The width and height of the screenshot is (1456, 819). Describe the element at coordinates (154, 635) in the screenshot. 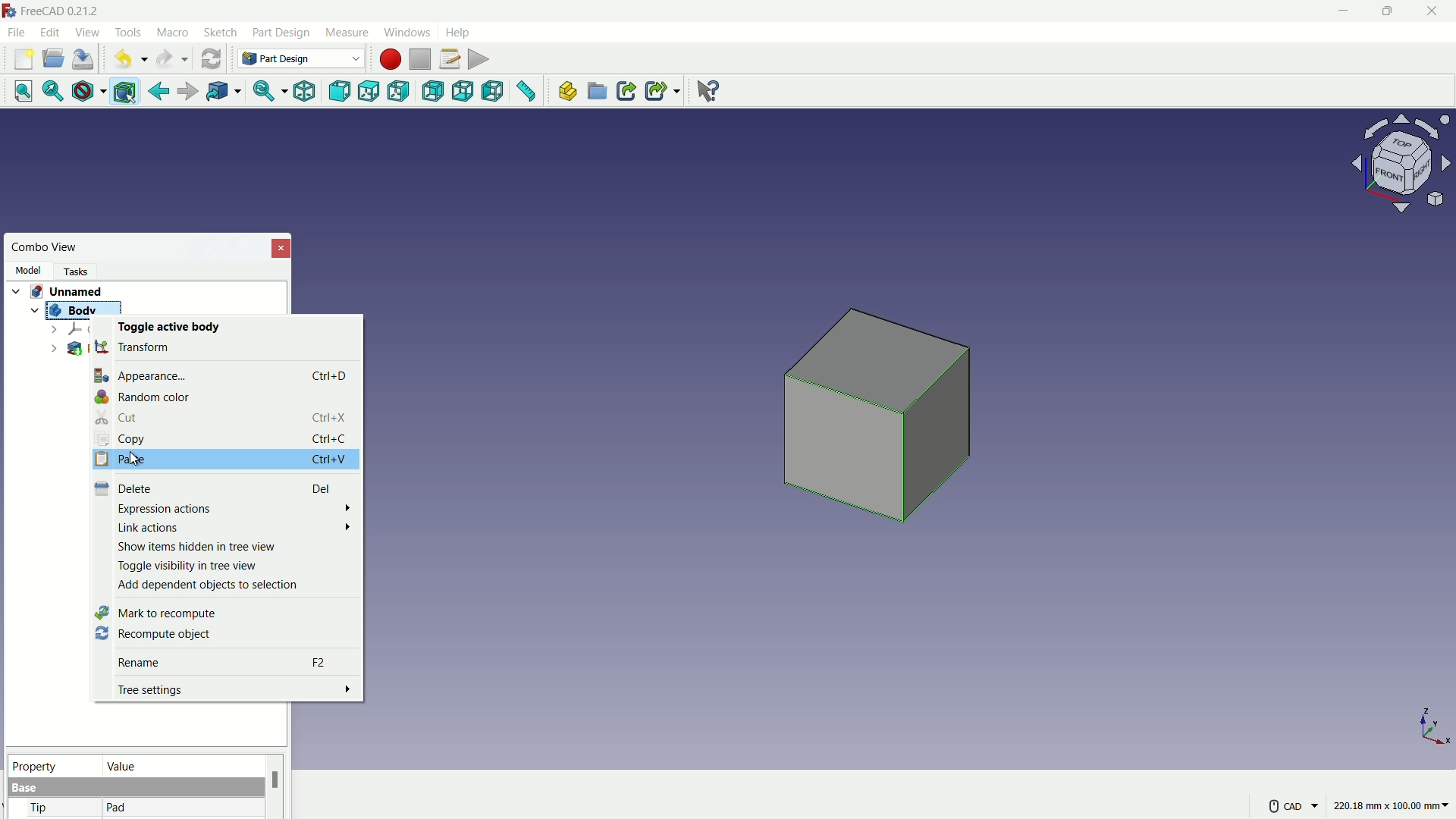

I see `Recompute object` at that location.